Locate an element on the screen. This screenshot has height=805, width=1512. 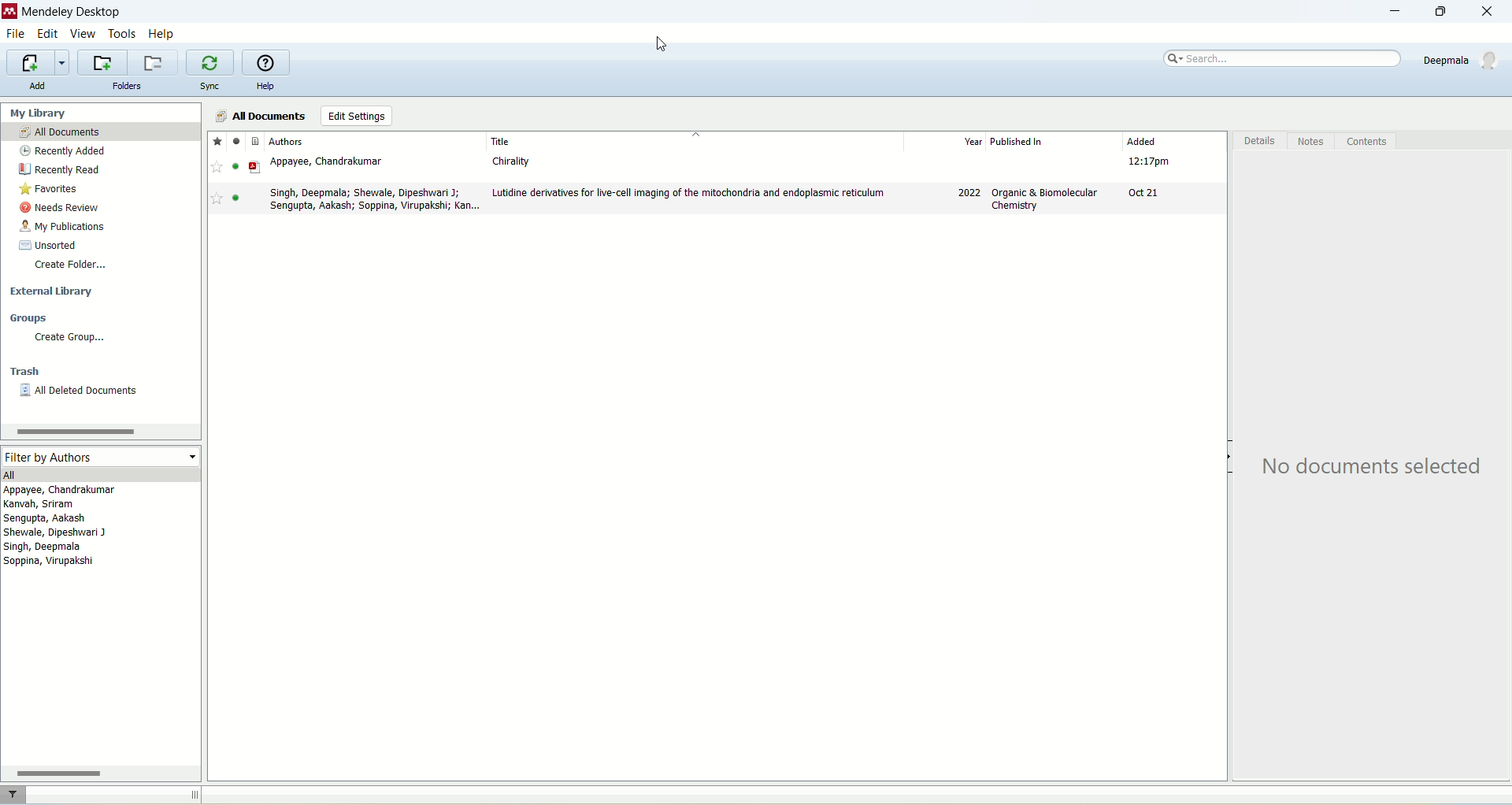
notes is located at coordinates (1310, 141).